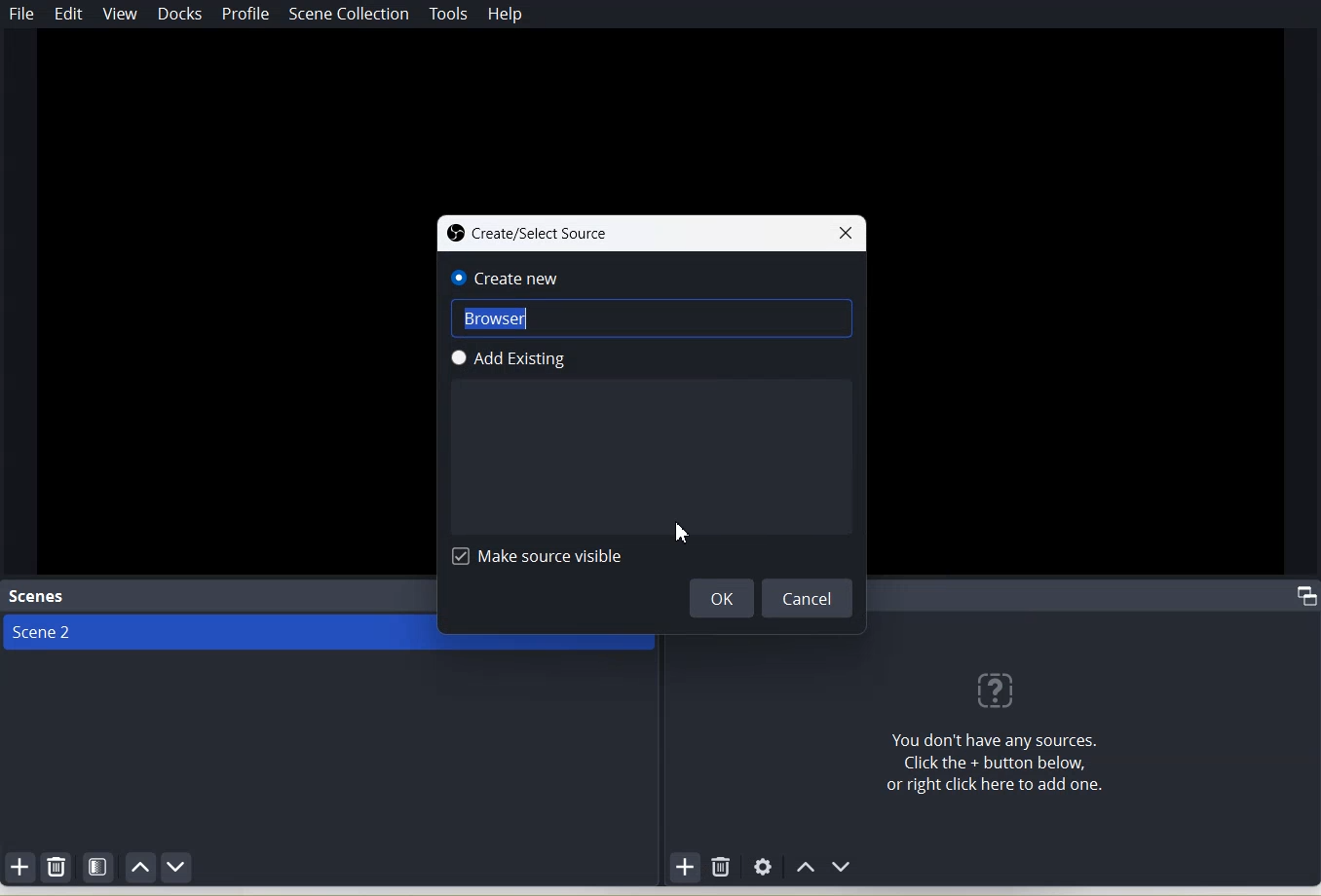 This screenshot has height=896, width=1321. Describe the element at coordinates (685, 536) in the screenshot. I see `cursor` at that location.